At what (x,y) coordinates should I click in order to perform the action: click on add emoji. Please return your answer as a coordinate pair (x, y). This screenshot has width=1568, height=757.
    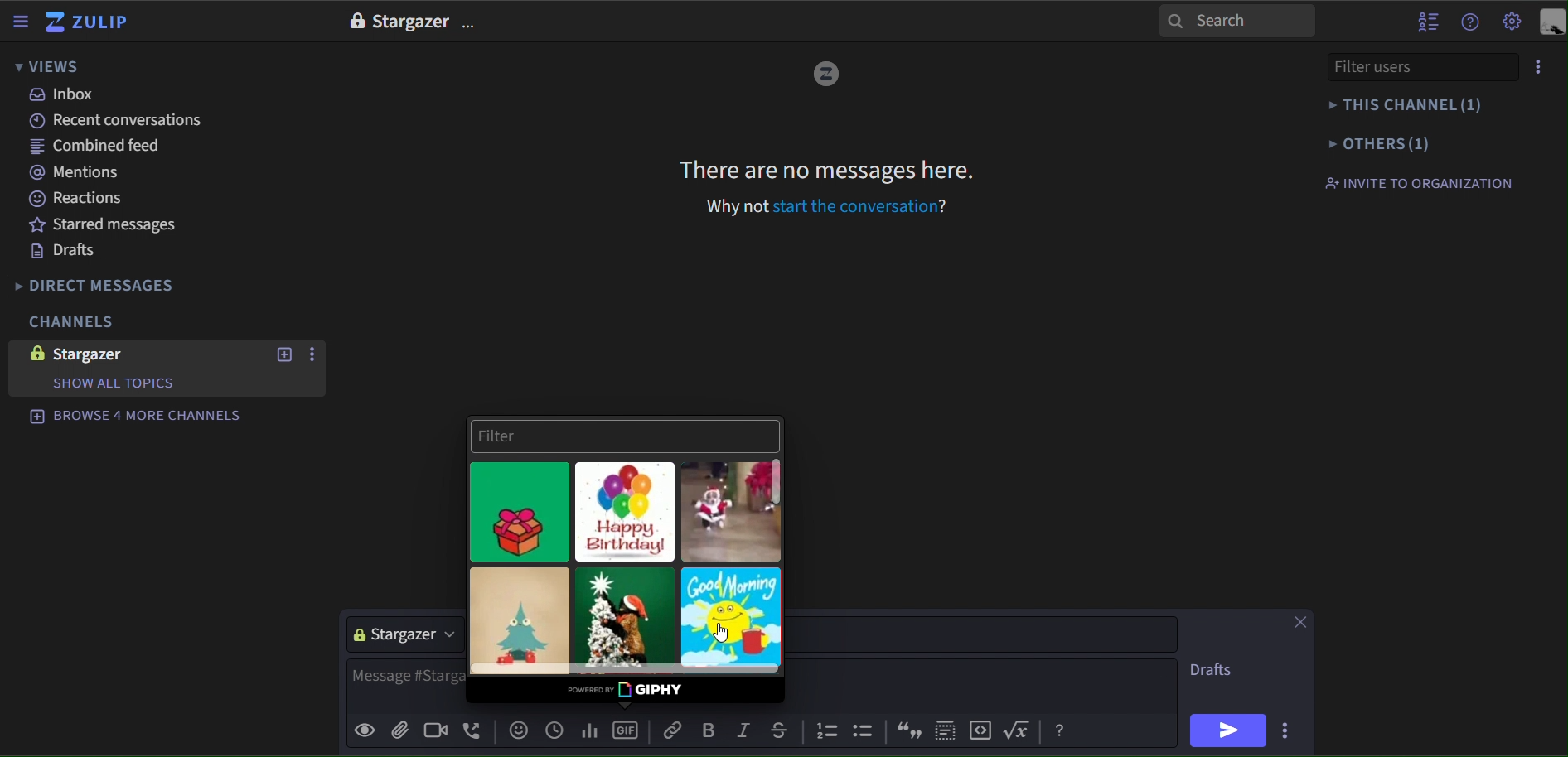
    Looking at the image, I should click on (519, 730).